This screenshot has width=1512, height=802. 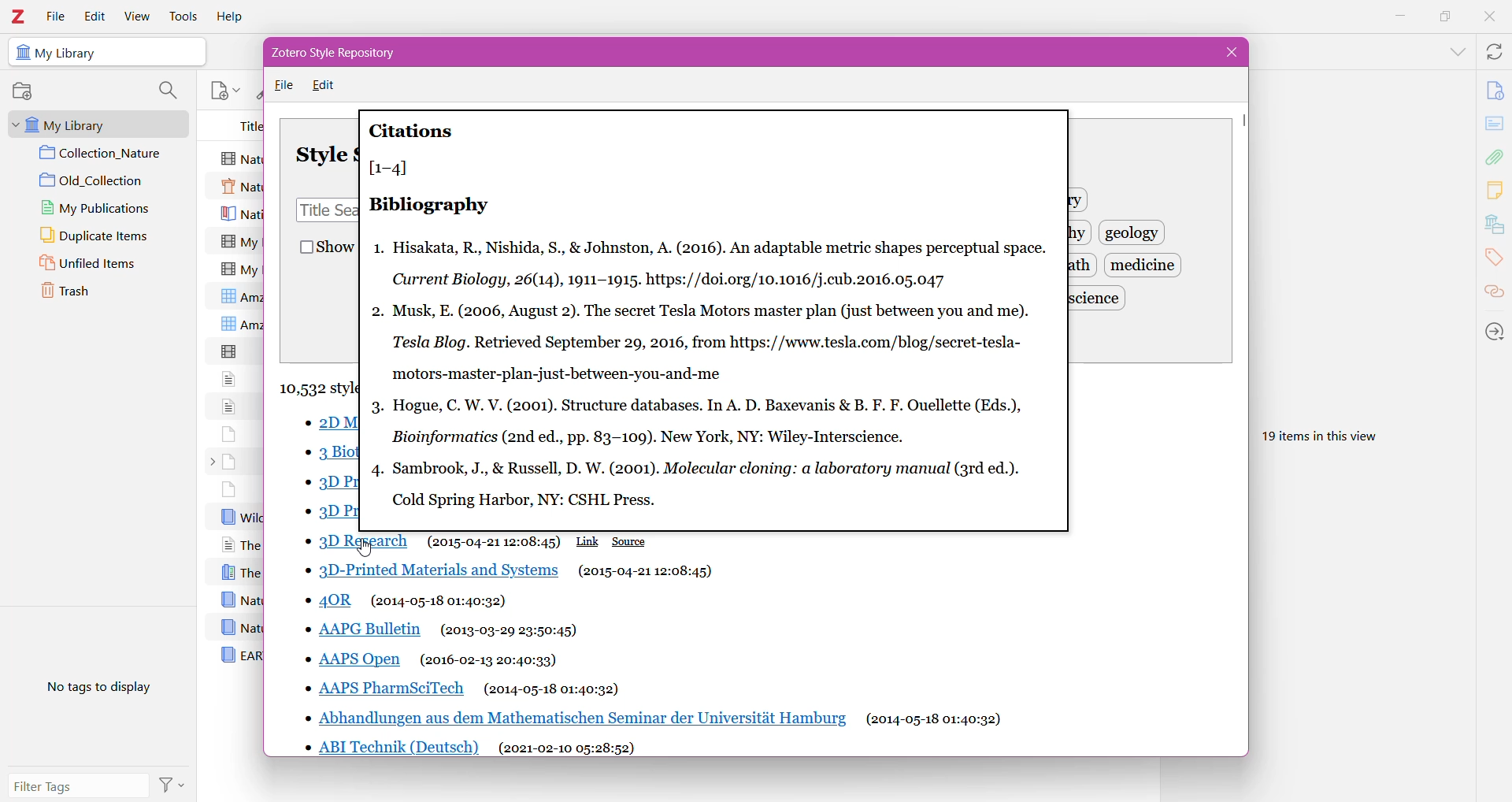 What do you see at coordinates (712, 421) in the screenshot?
I see `Hogue, C. W. V. (2001). Structure databases. In A. D. Baxevanis & B. F. F. Ouellette (Eds.), Bioinformatics (2nd ed., pp. 83-109). New York, NY: Wiley-Interscience.` at bounding box center [712, 421].